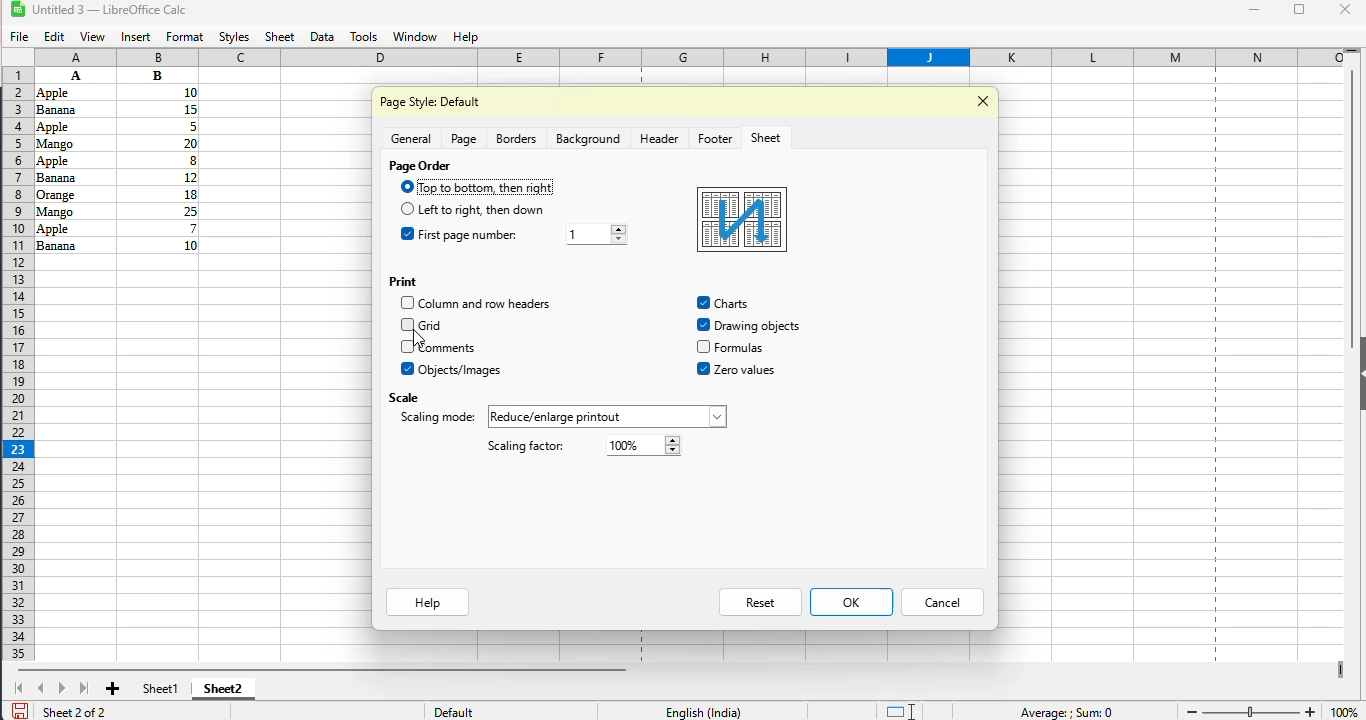  I want to click on edit, so click(55, 37).